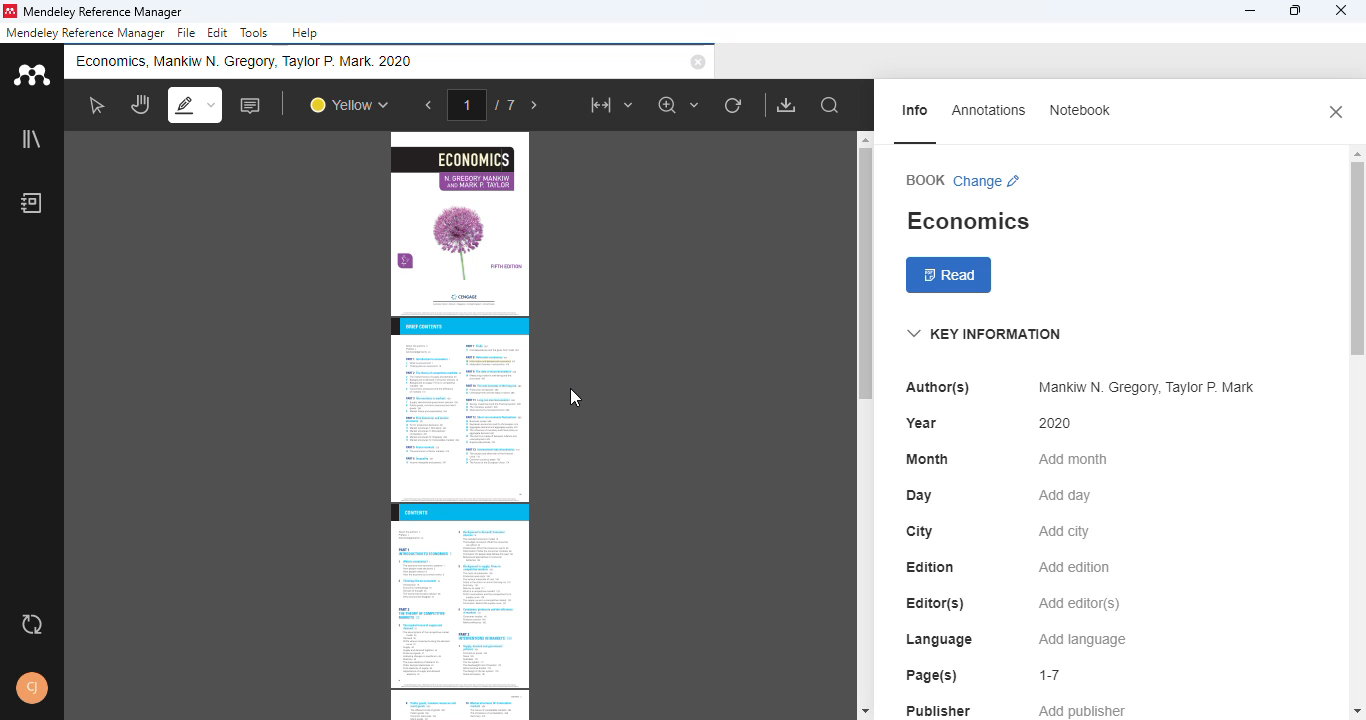  What do you see at coordinates (186, 33) in the screenshot?
I see `file` at bounding box center [186, 33].